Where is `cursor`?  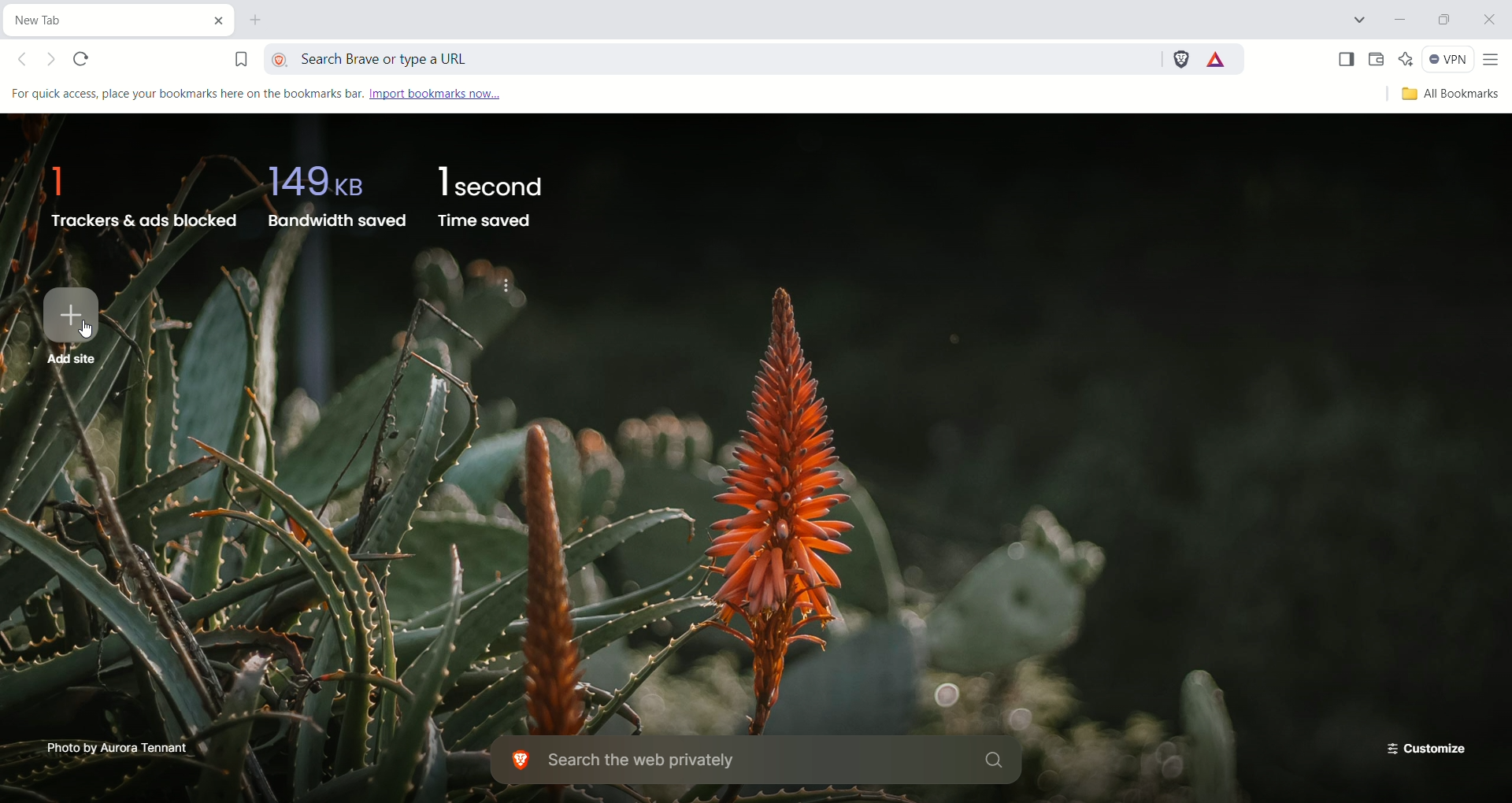 cursor is located at coordinates (87, 329).